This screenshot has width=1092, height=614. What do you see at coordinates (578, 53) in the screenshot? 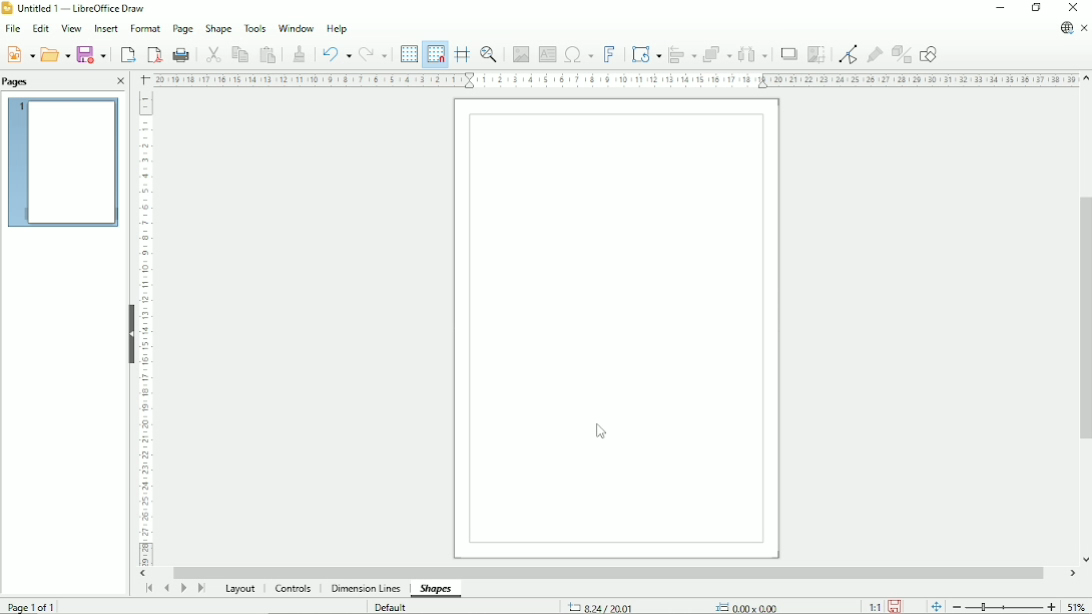
I see `Insert special characters` at bounding box center [578, 53].